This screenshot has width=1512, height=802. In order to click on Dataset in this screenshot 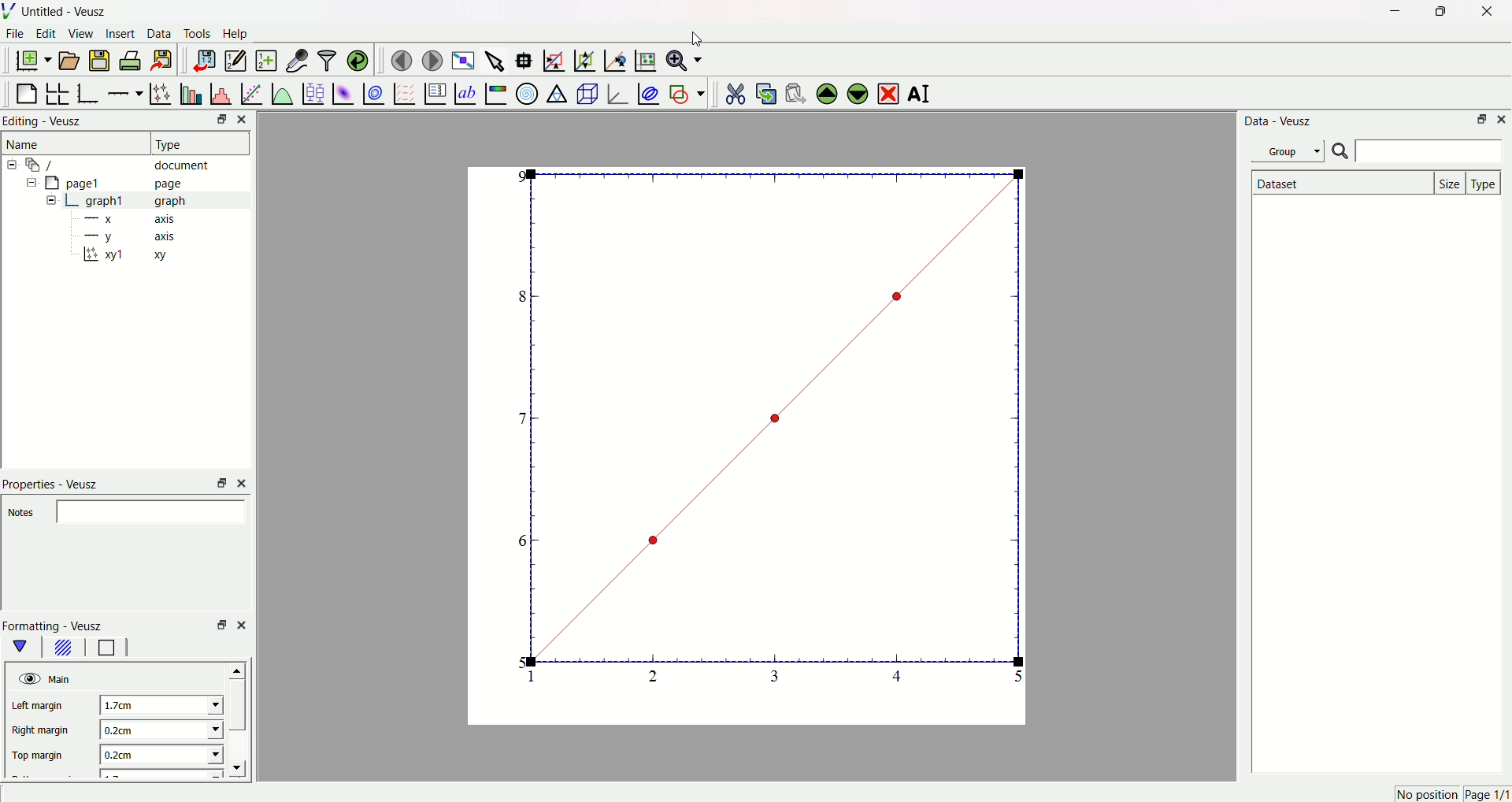, I will do `click(1340, 183)`.